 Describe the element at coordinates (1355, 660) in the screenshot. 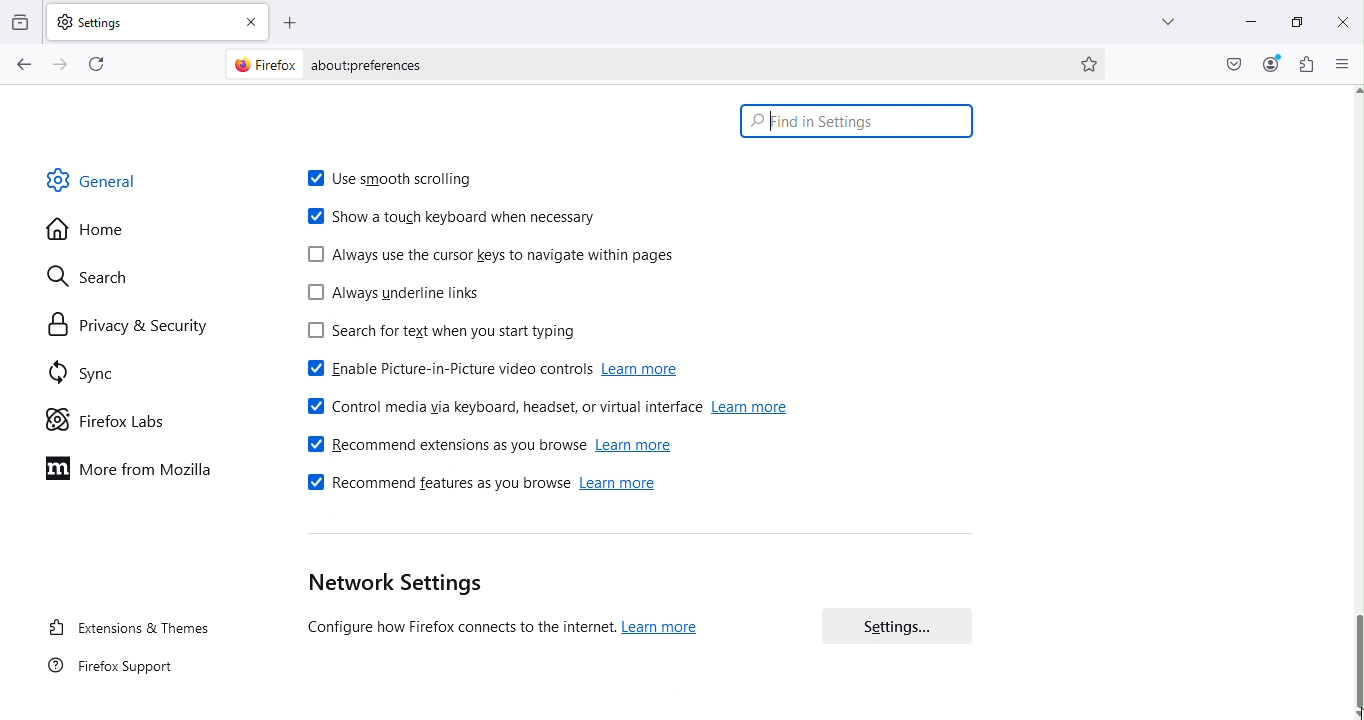

I see `Scroll Bar` at that location.